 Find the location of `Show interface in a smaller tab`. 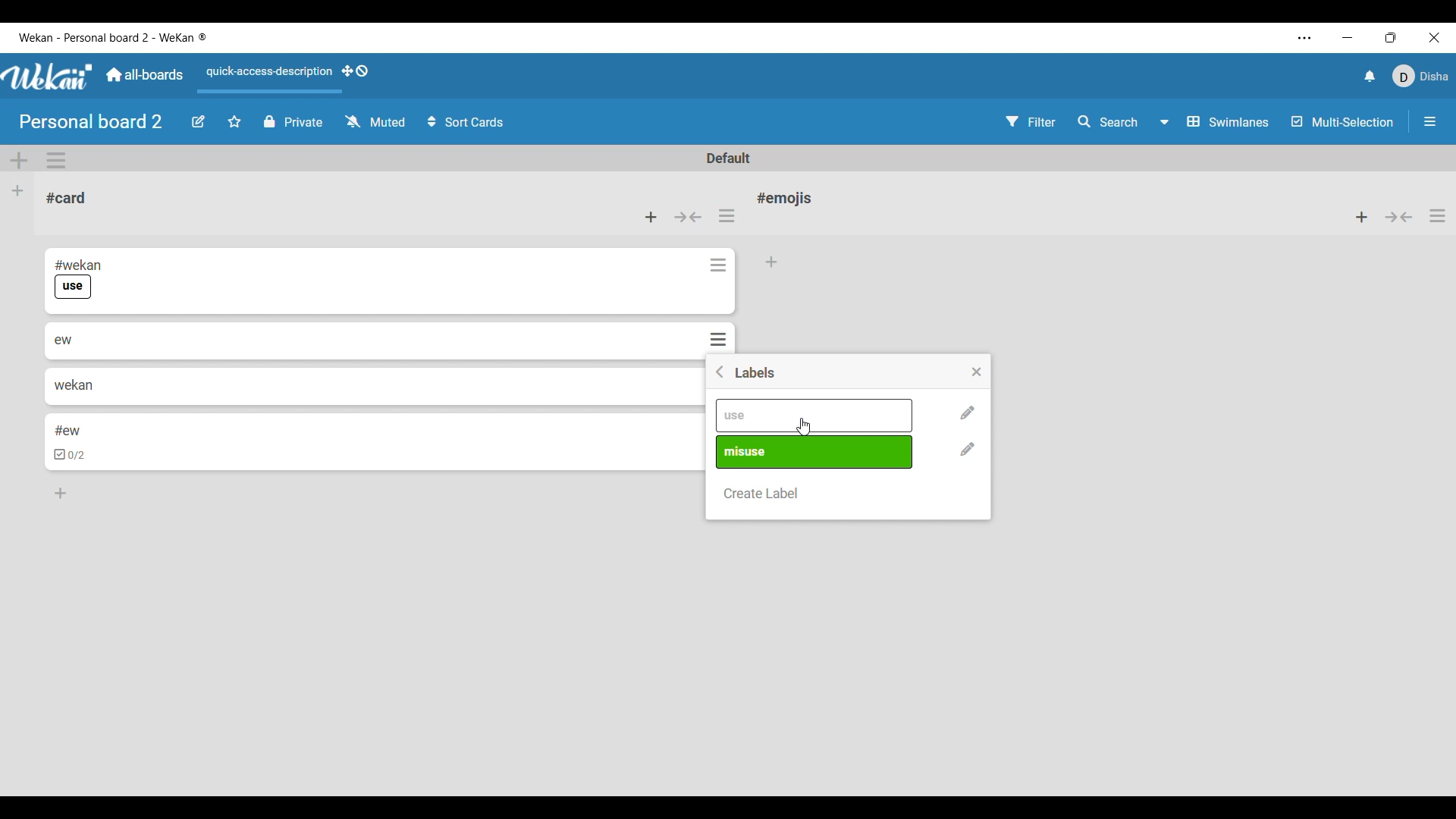

Show interface in a smaller tab is located at coordinates (1391, 37).